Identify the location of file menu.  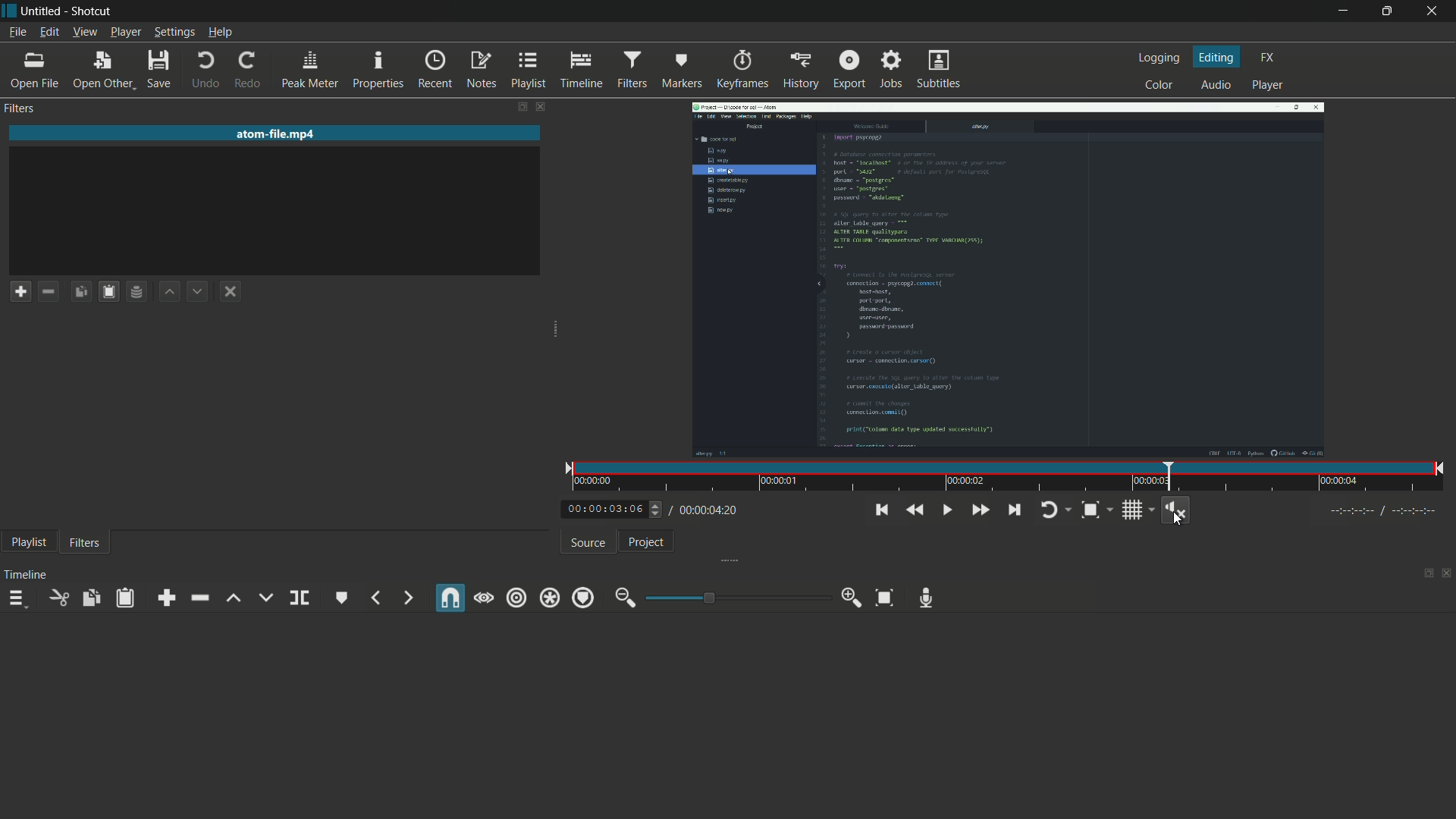
(15, 31).